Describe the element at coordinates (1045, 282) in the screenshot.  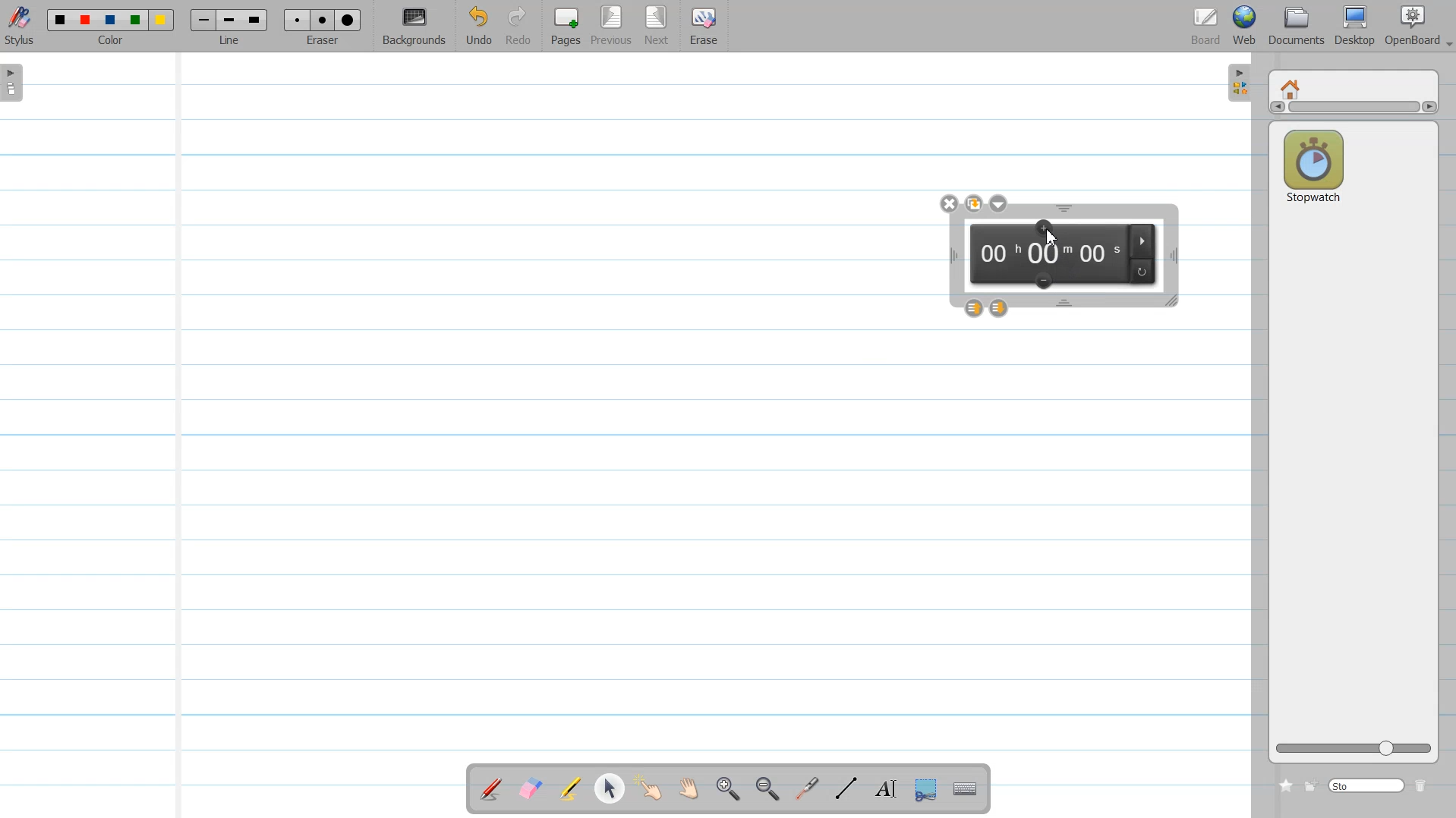
I see `Remove minutes` at that location.